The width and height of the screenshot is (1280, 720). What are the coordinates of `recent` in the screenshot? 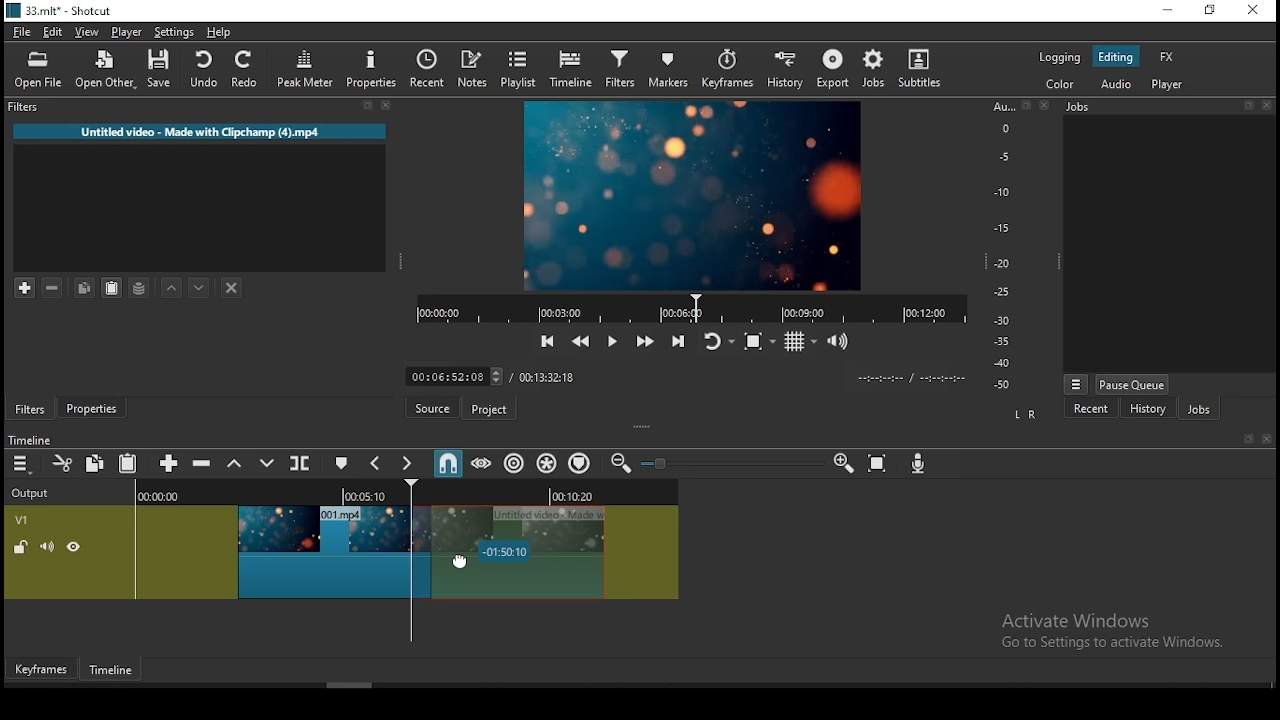 It's located at (1088, 409).